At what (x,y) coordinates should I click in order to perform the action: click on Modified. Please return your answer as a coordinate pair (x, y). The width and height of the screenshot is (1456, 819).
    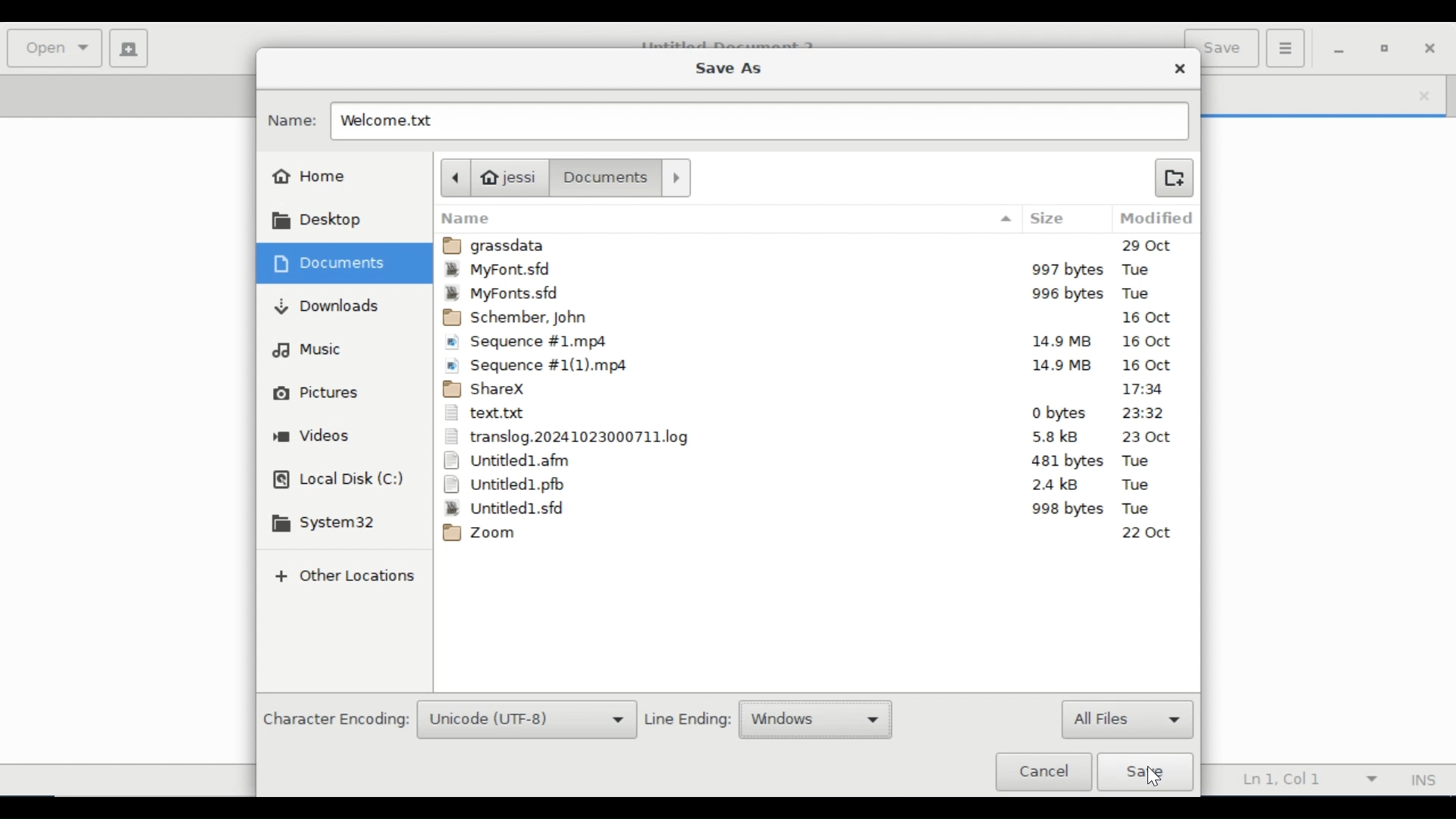
    Looking at the image, I should click on (1153, 218).